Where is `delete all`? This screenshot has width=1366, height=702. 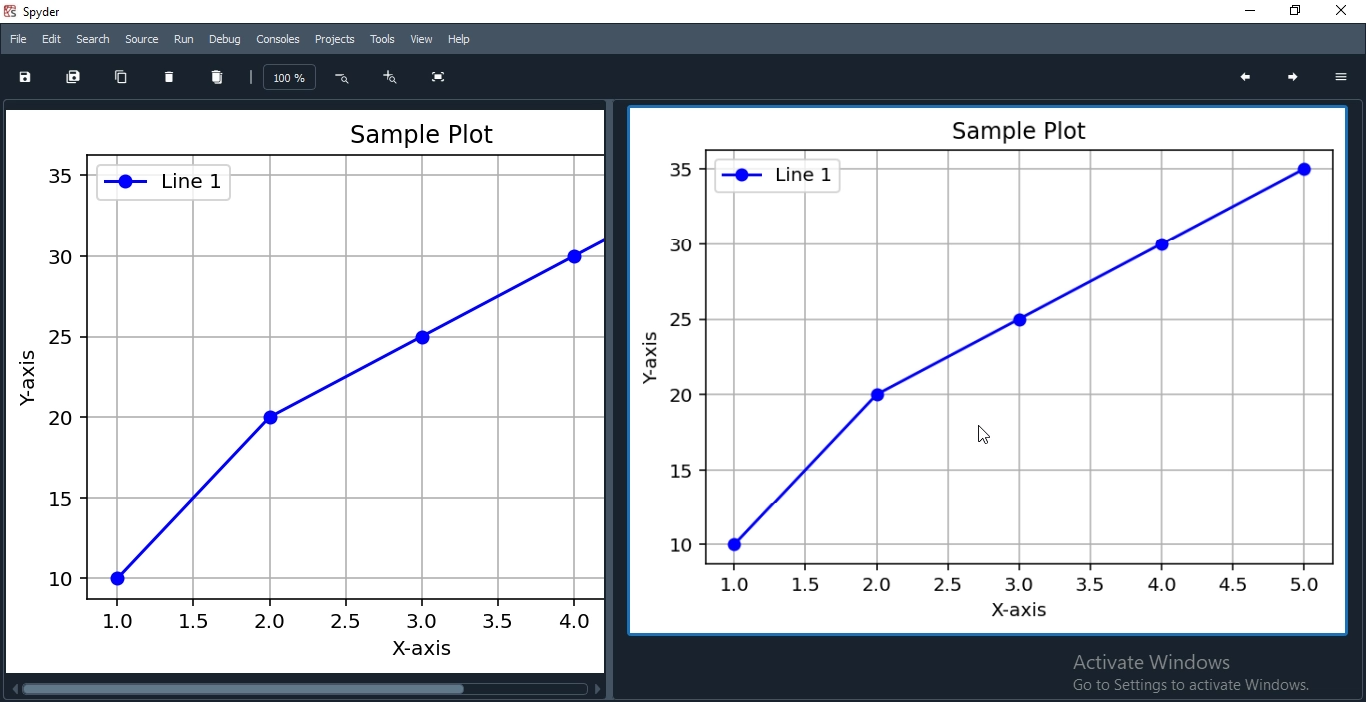
delete all is located at coordinates (218, 76).